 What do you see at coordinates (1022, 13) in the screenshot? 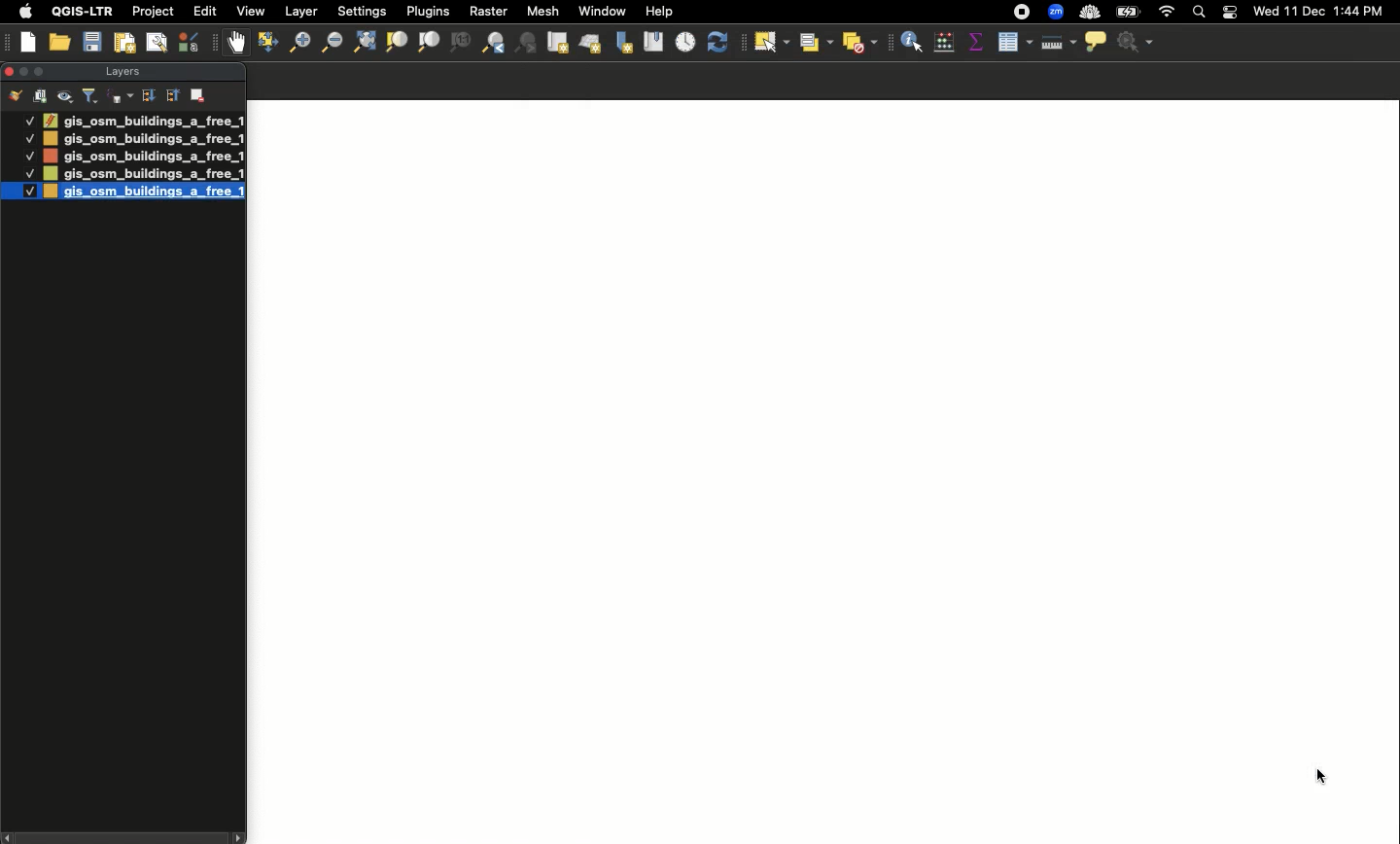
I see `Recording` at bounding box center [1022, 13].